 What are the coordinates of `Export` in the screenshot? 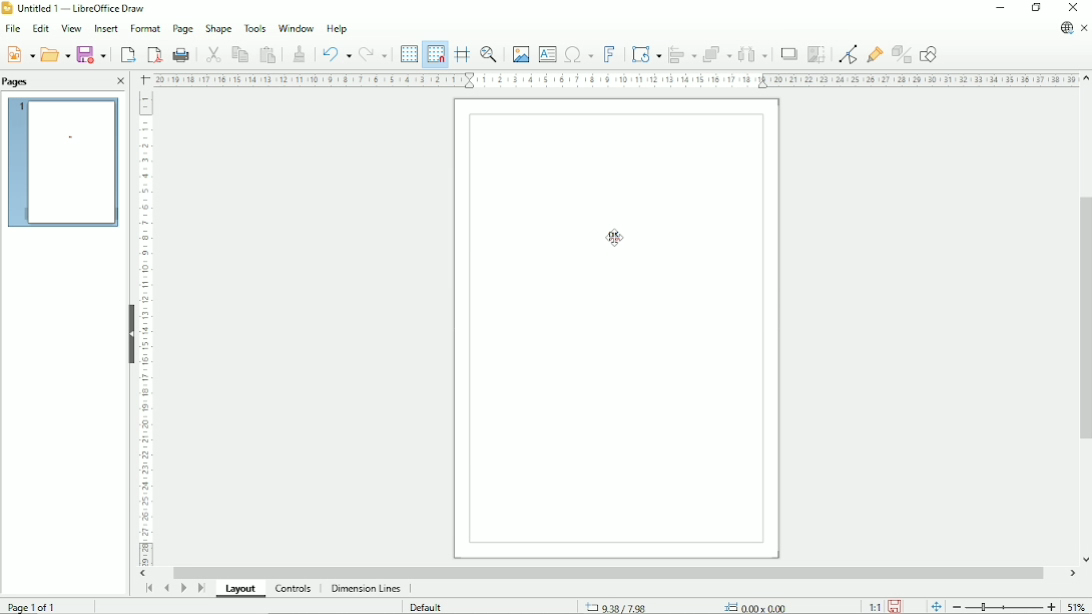 It's located at (127, 55).